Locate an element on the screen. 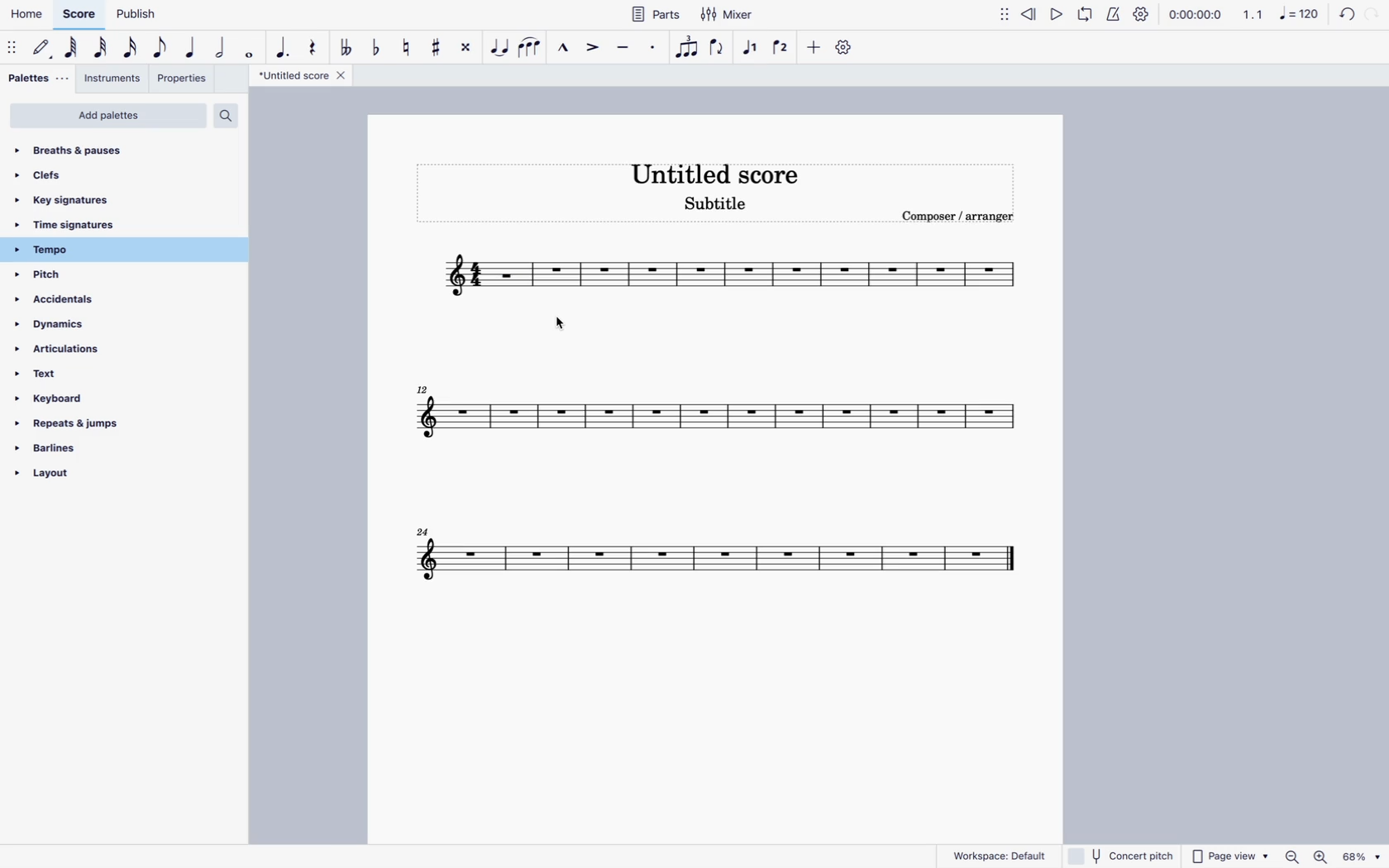 This screenshot has width=1389, height=868. move is located at coordinates (1001, 14).